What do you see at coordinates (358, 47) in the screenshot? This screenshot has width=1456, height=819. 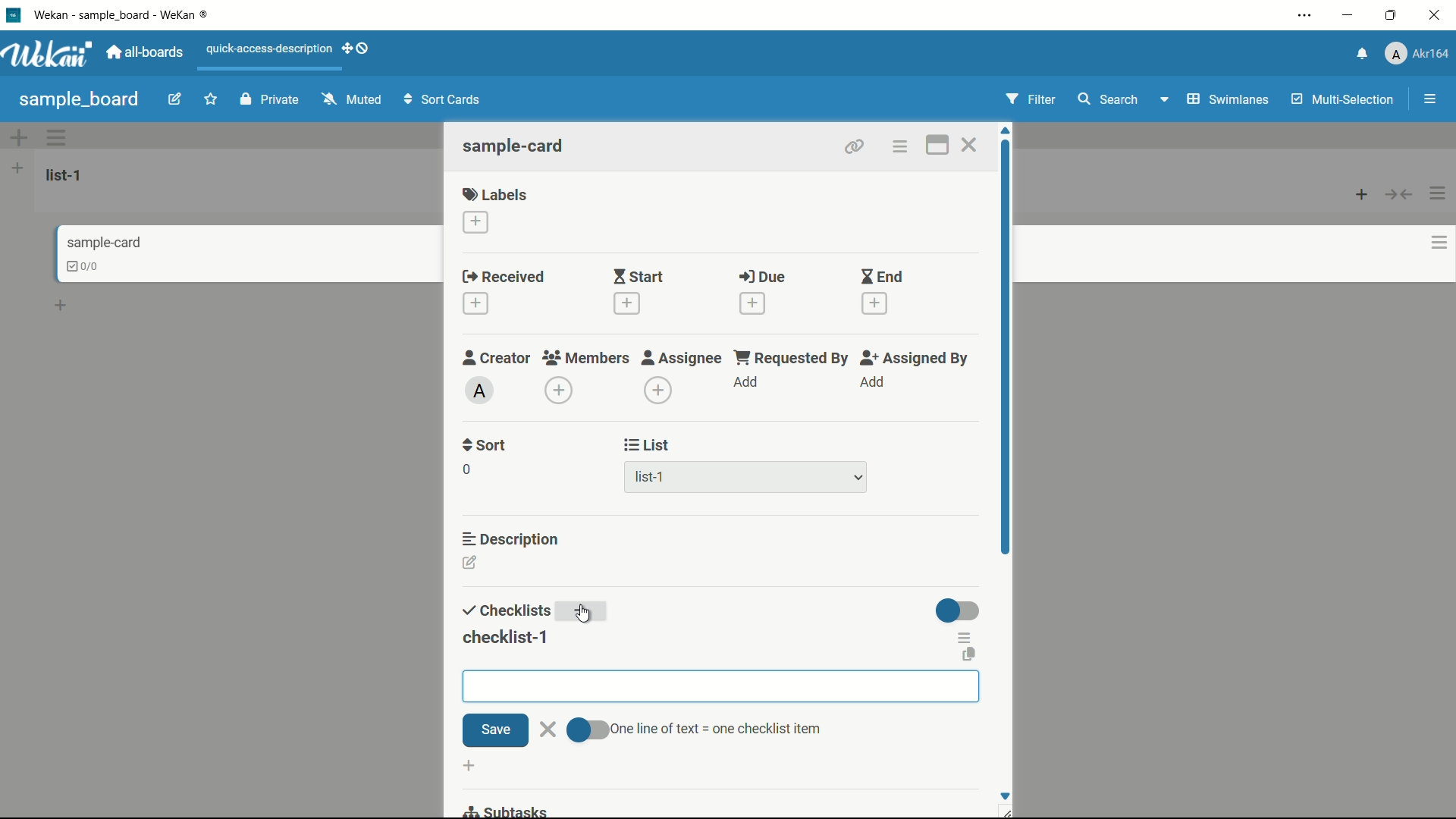 I see `show-desktop-drag-handles` at bounding box center [358, 47].